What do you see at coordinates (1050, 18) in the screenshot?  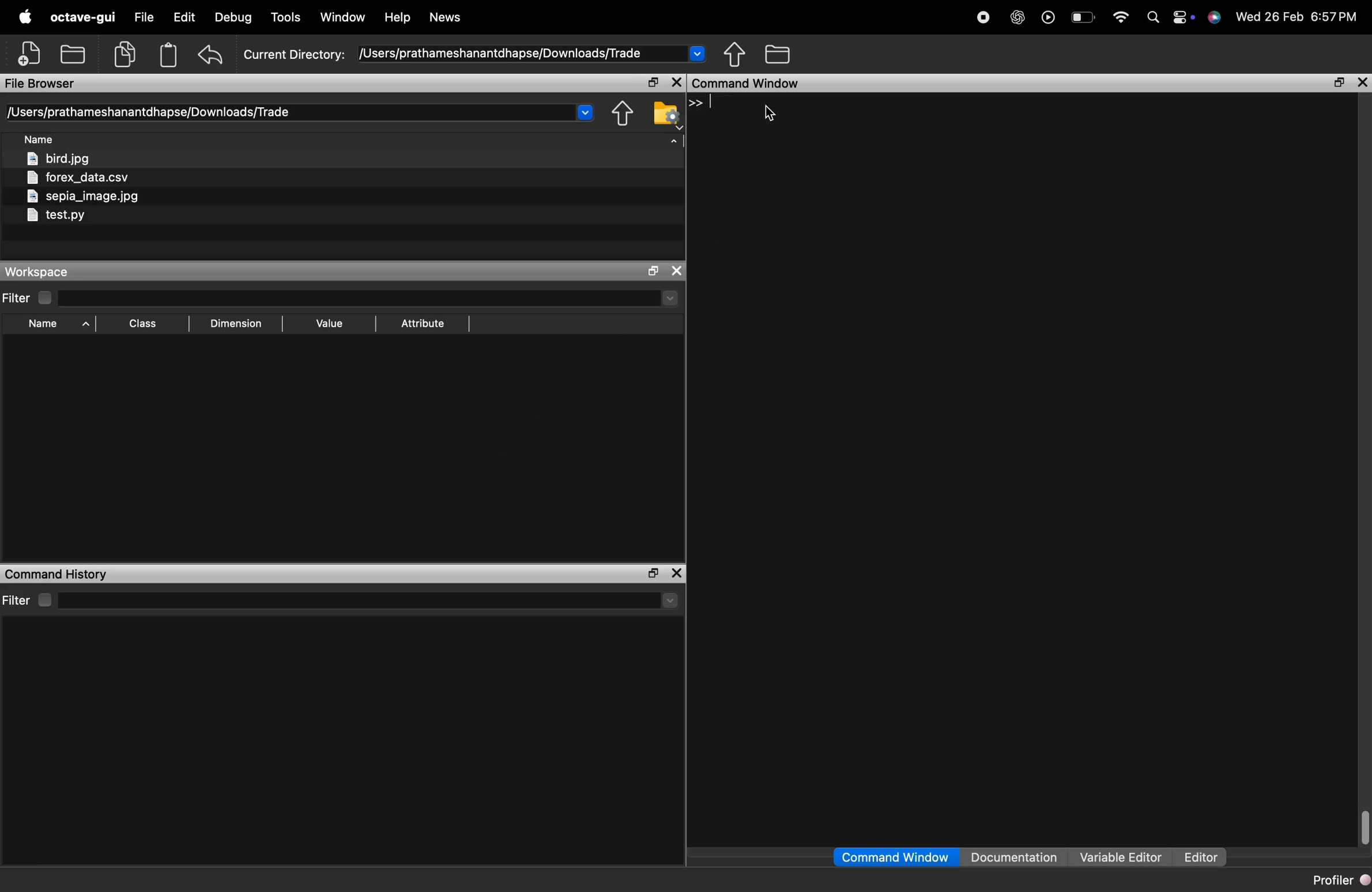 I see `play` at bounding box center [1050, 18].